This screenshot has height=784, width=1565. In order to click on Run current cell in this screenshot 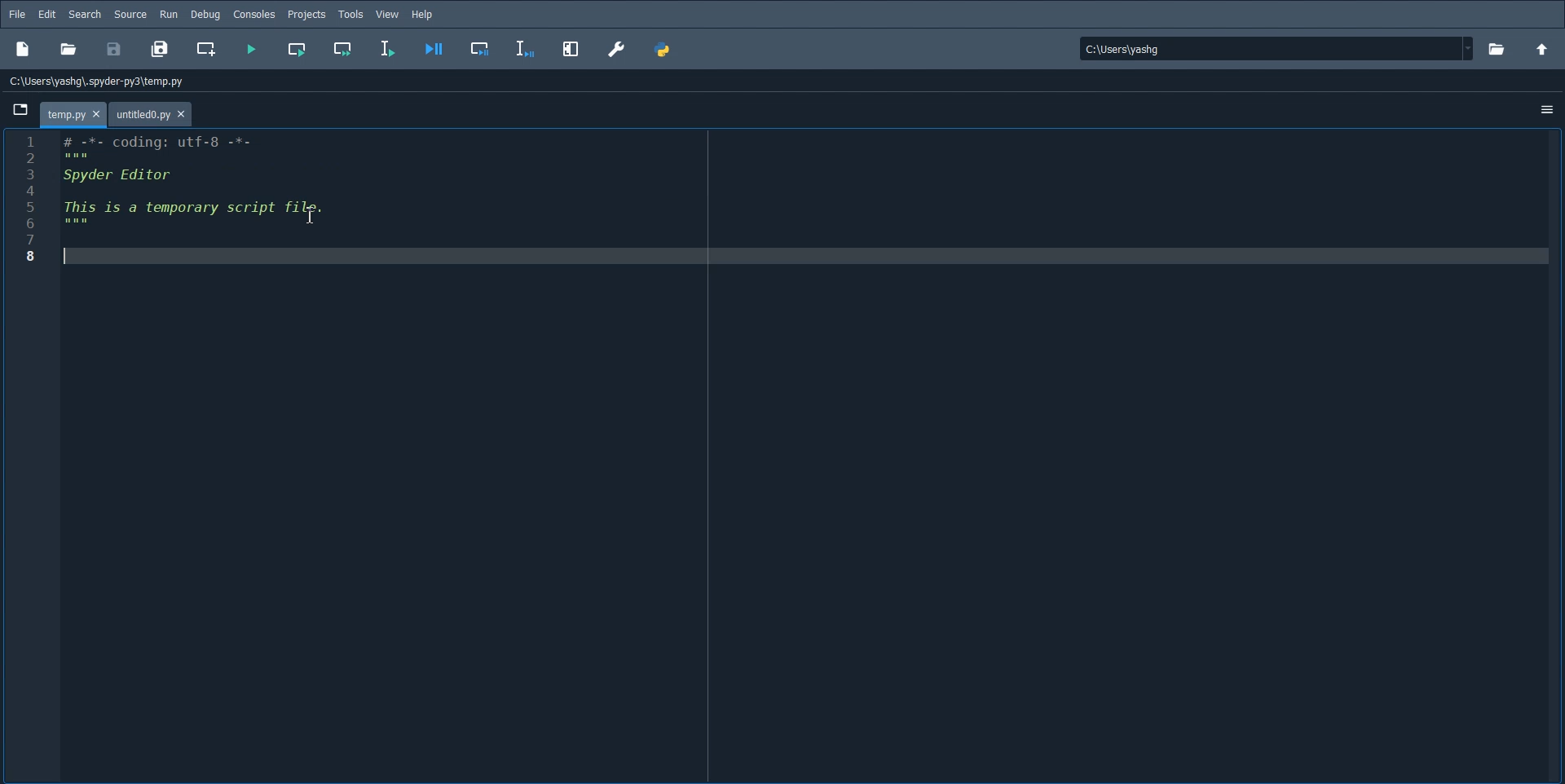, I will do `click(345, 51)`.